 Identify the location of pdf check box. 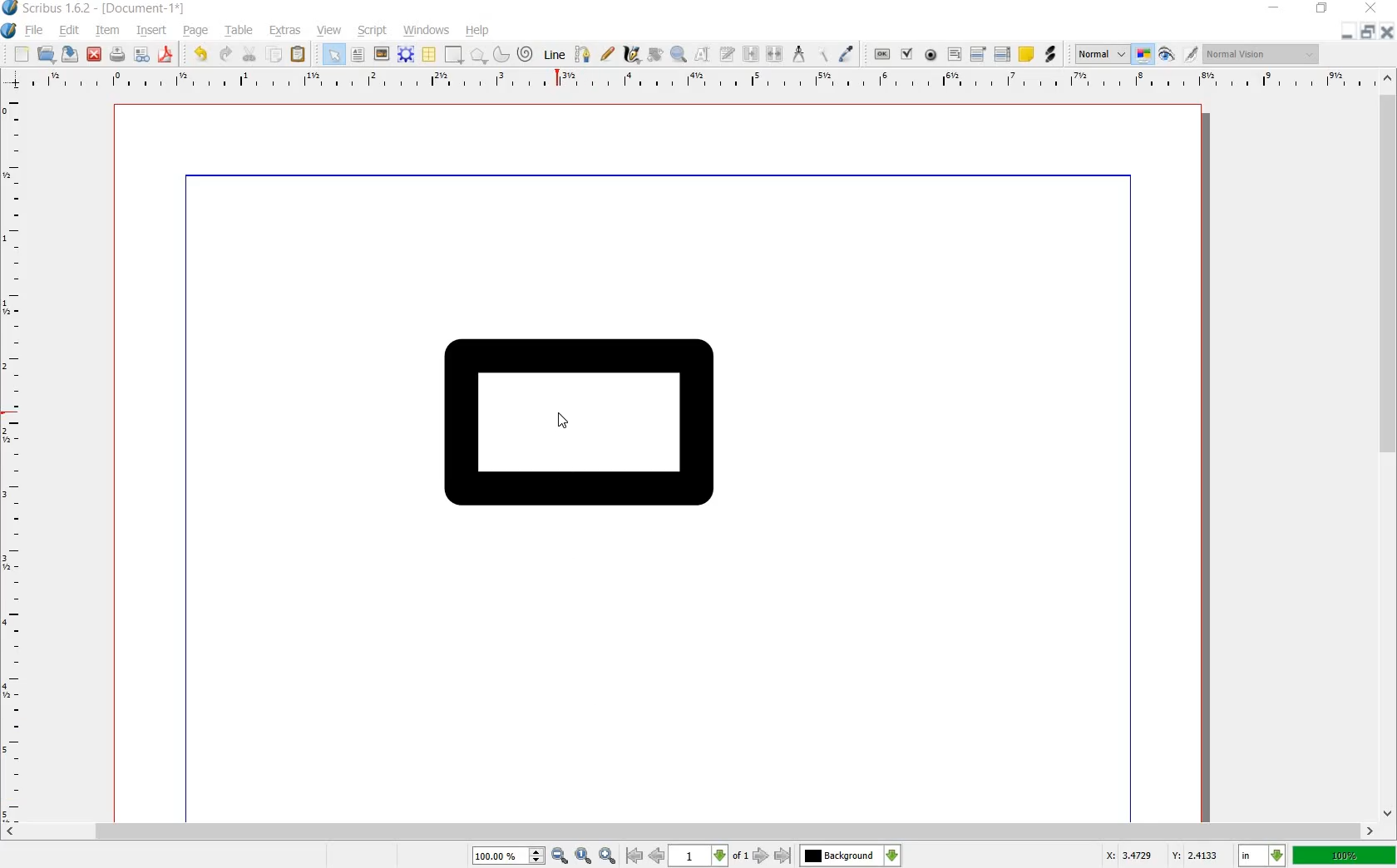
(907, 55).